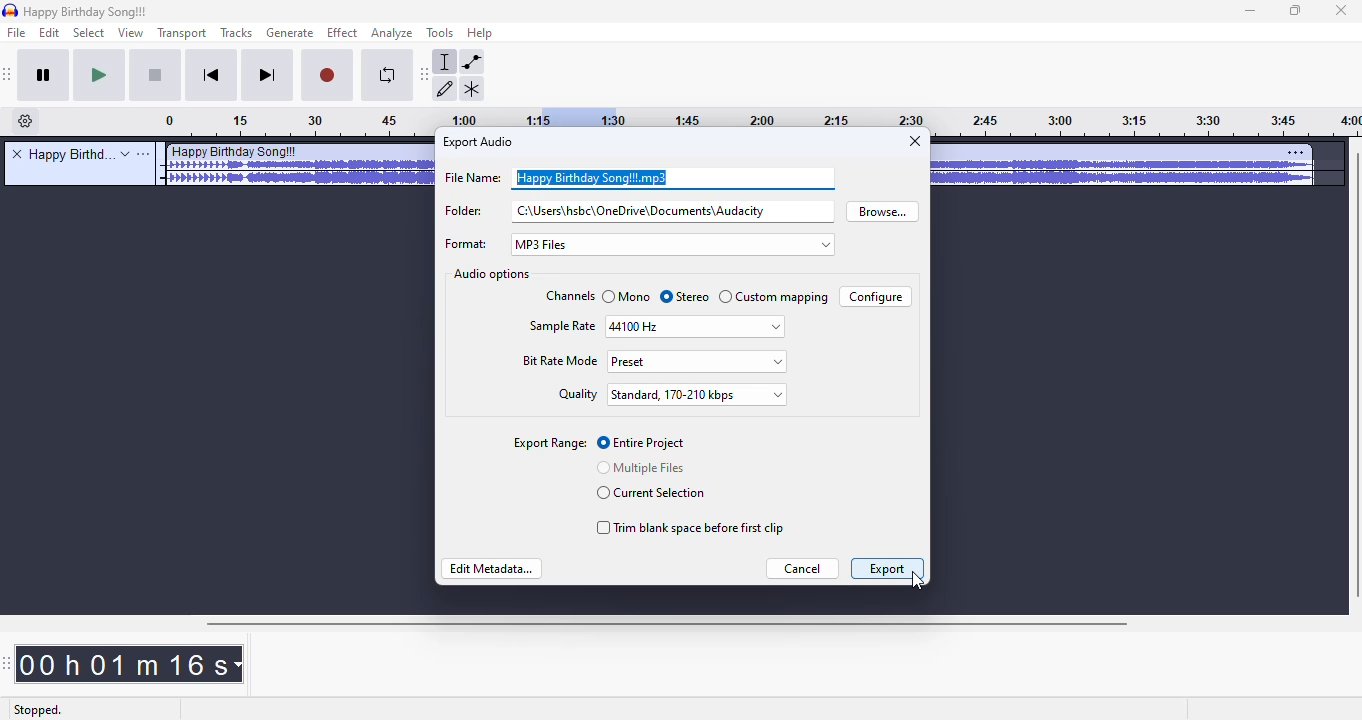 The image size is (1362, 720). What do you see at coordinates (157, 77) in the screenshot?
I see `stop` at bounding box center [157, 77].